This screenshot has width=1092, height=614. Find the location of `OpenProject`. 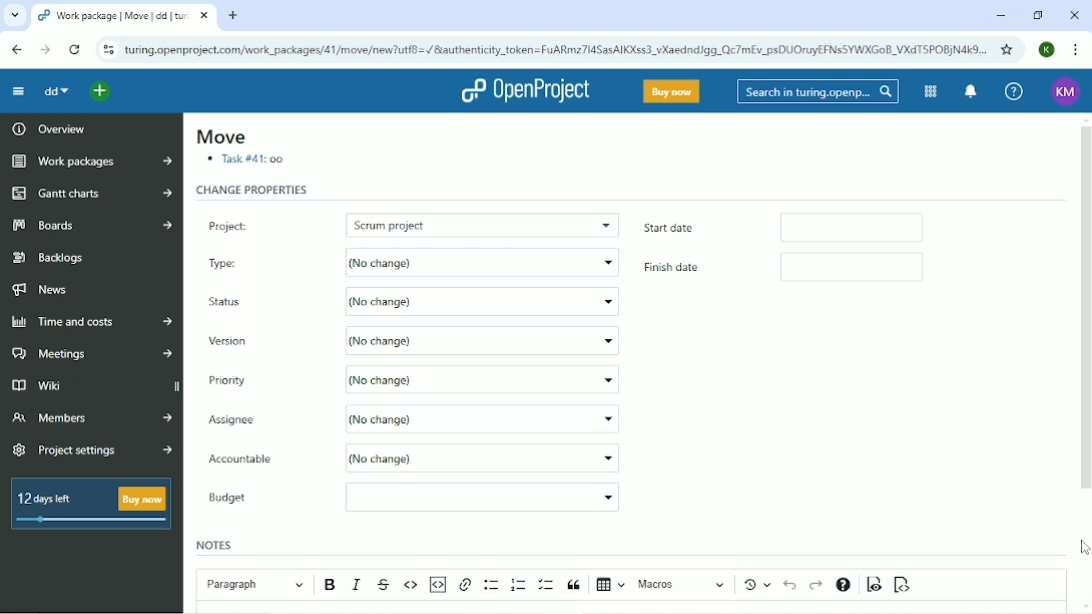

OpenProject is located at coordinates (528, 91).